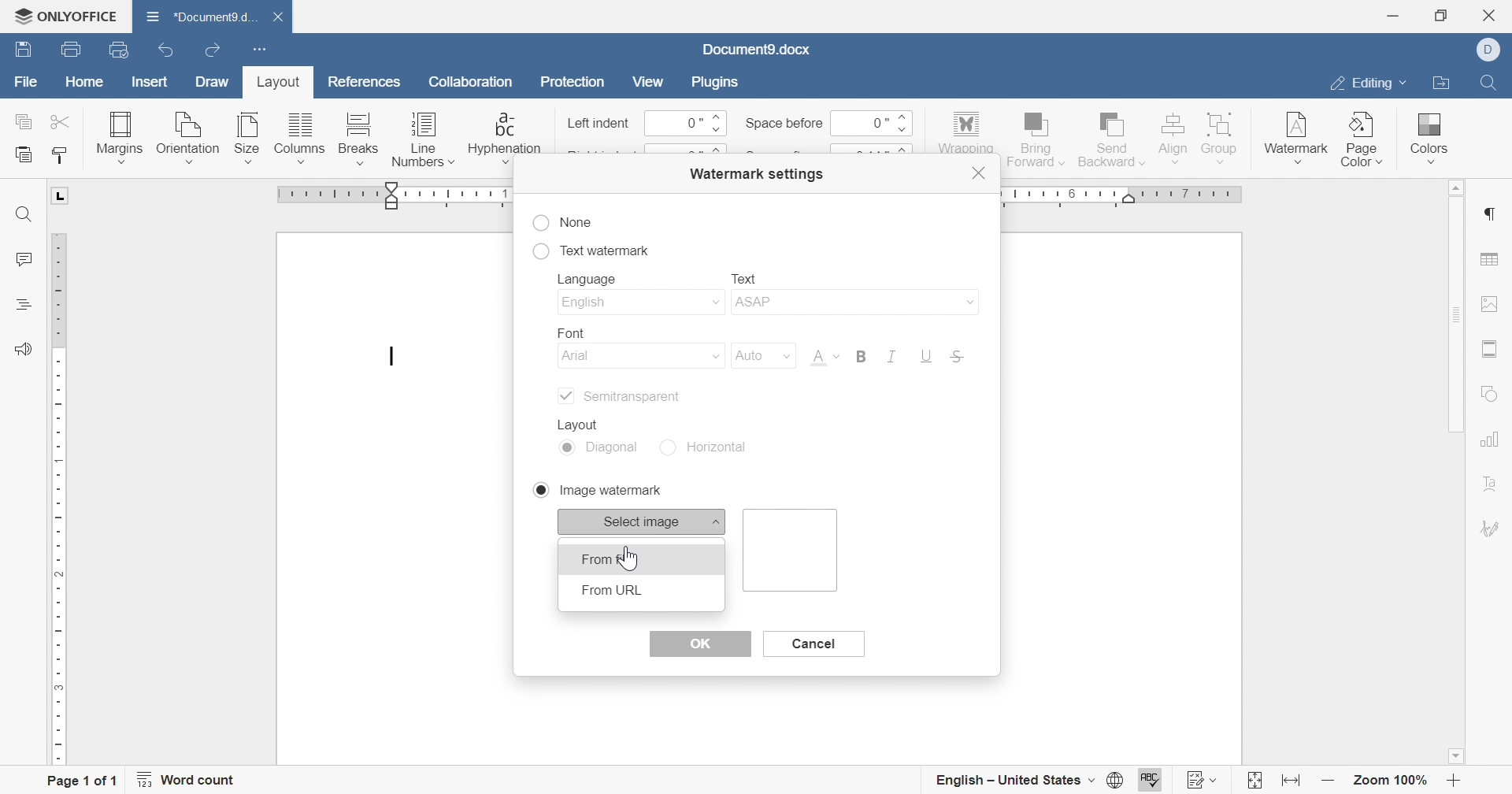 The height and width of the screenshot is (794, 1512). Describe the element at coordinates (1014, 781) in the screenshot. I see `english - united states` at that location.